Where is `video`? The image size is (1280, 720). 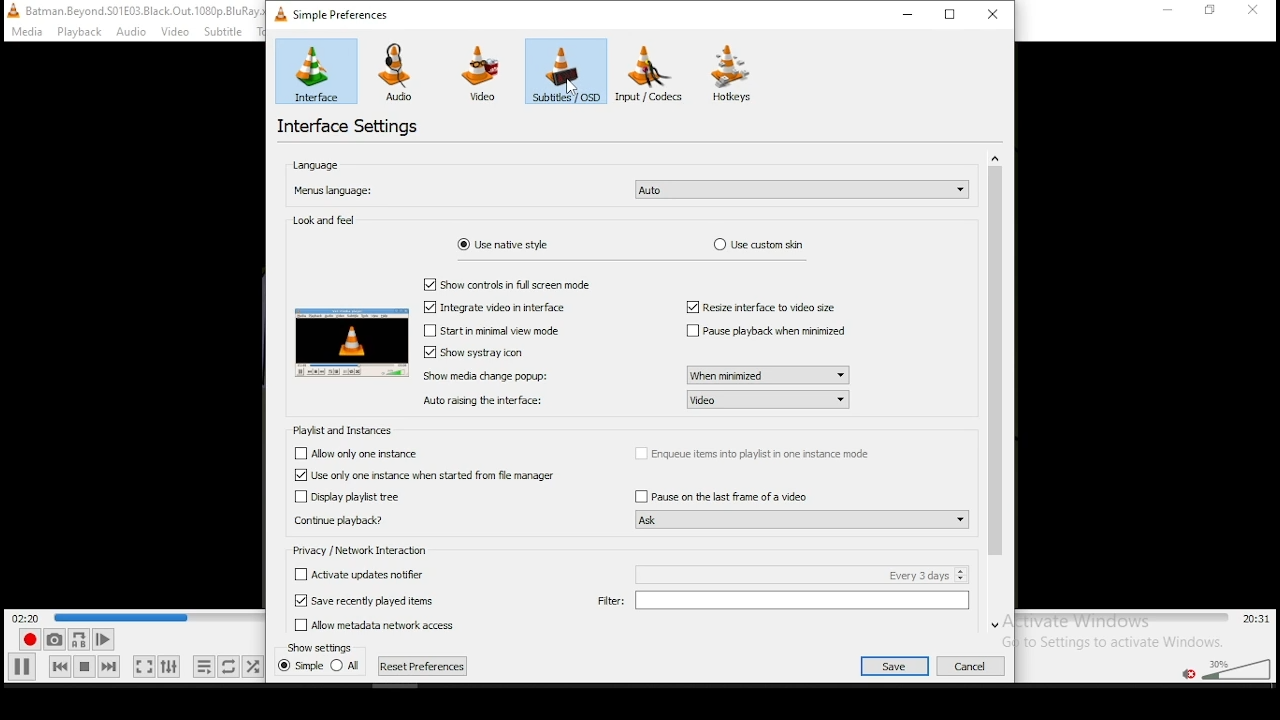
video is located at coordinates (175, 33).